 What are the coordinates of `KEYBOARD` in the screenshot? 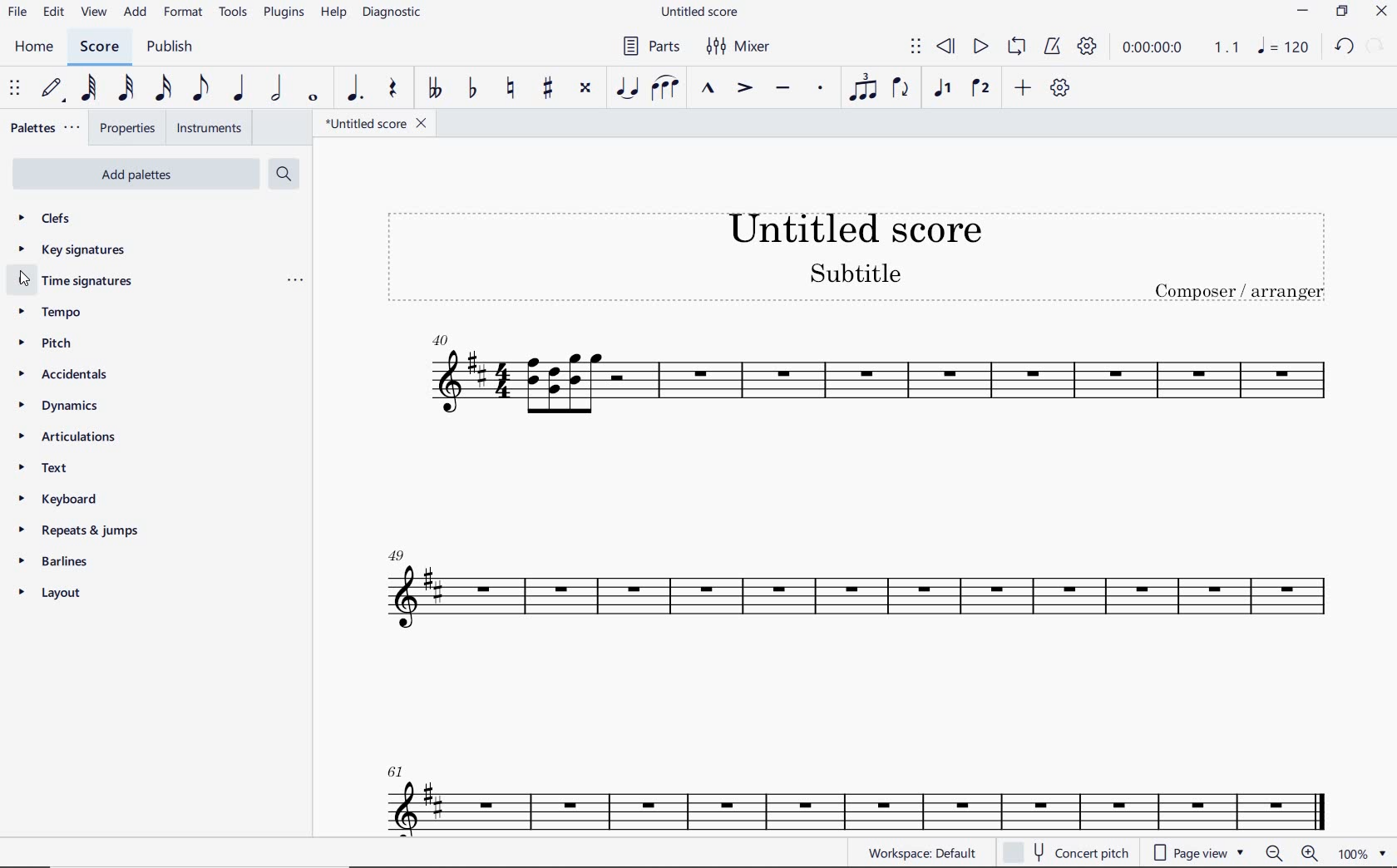 It's located at (55, 499).